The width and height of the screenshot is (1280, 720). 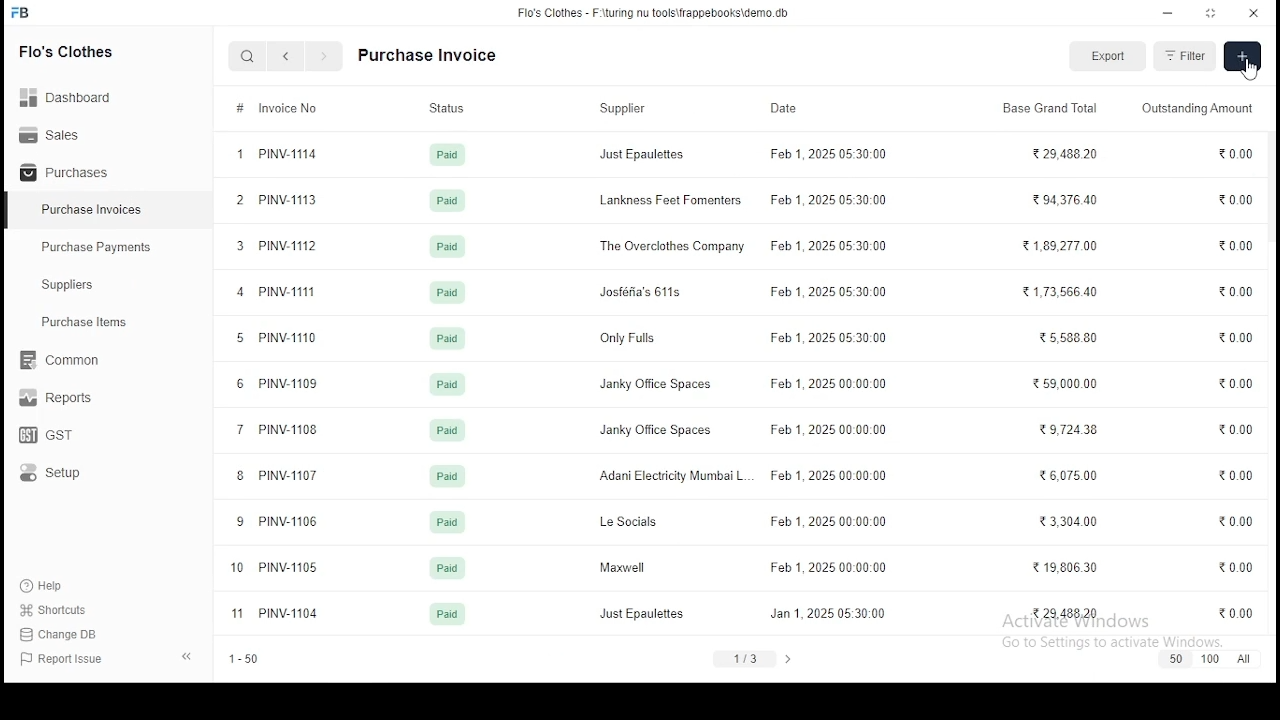 What do you see at coordinates (671, 200) in the screenshot?
I see `lankless feet fomenters` at bounding box center [671, 200].